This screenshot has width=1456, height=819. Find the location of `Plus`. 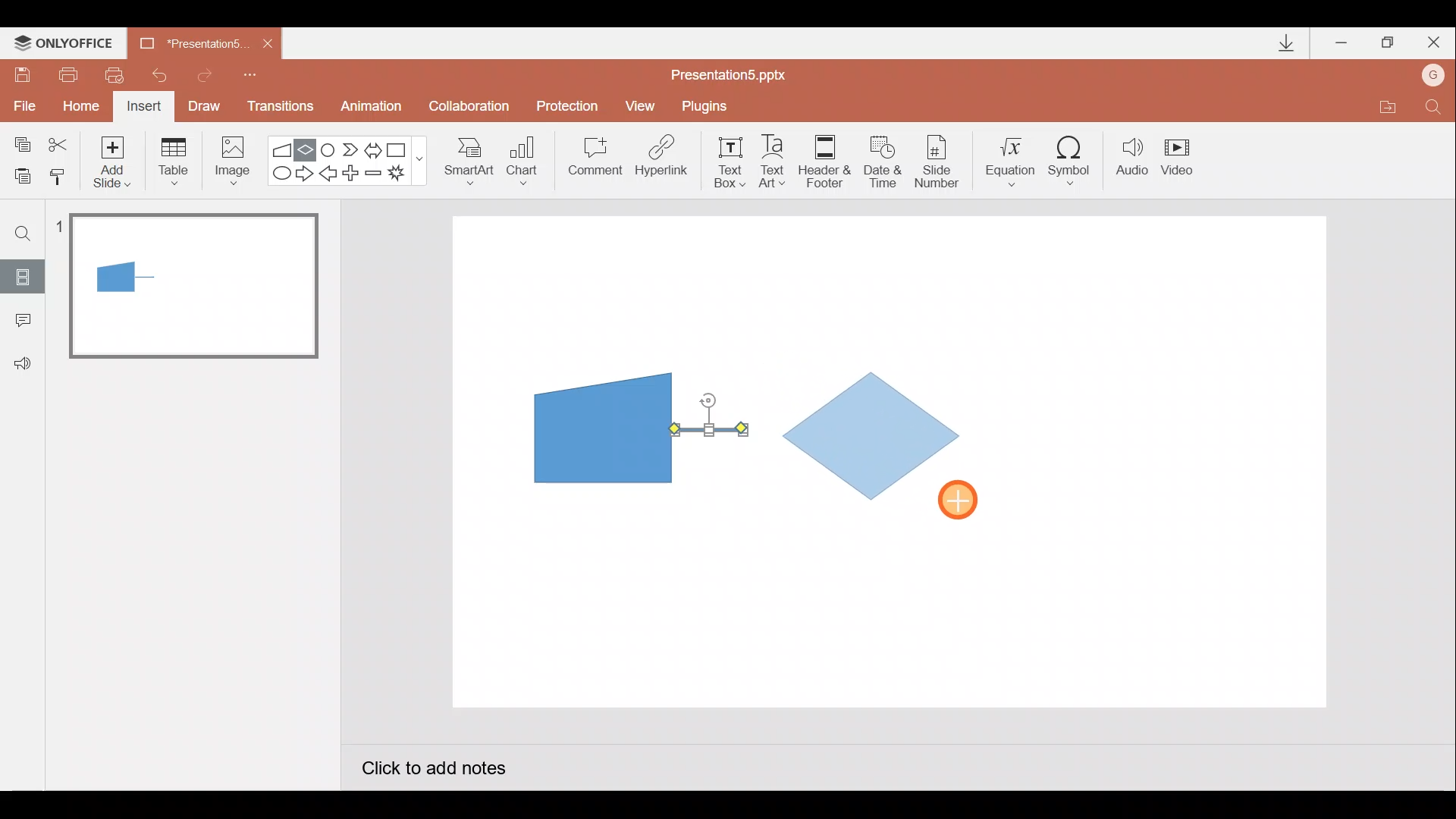

Plus is located at coordinates (353, 175).